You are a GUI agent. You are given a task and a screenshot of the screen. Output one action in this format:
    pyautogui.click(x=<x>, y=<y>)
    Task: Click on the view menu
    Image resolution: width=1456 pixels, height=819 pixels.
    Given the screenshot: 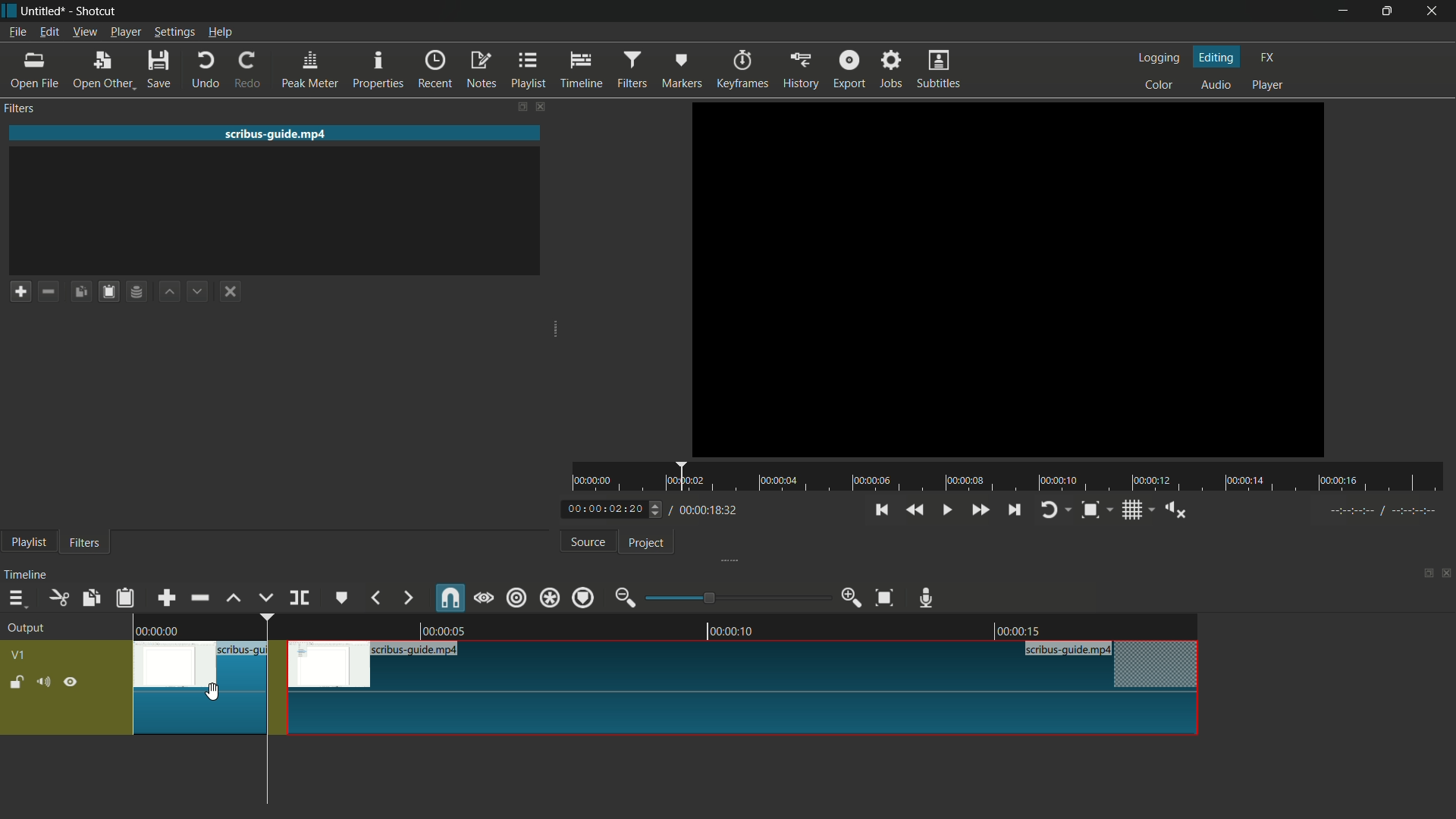 What is the action you would take?
    pyautogui.click(x=86, y=32)
    